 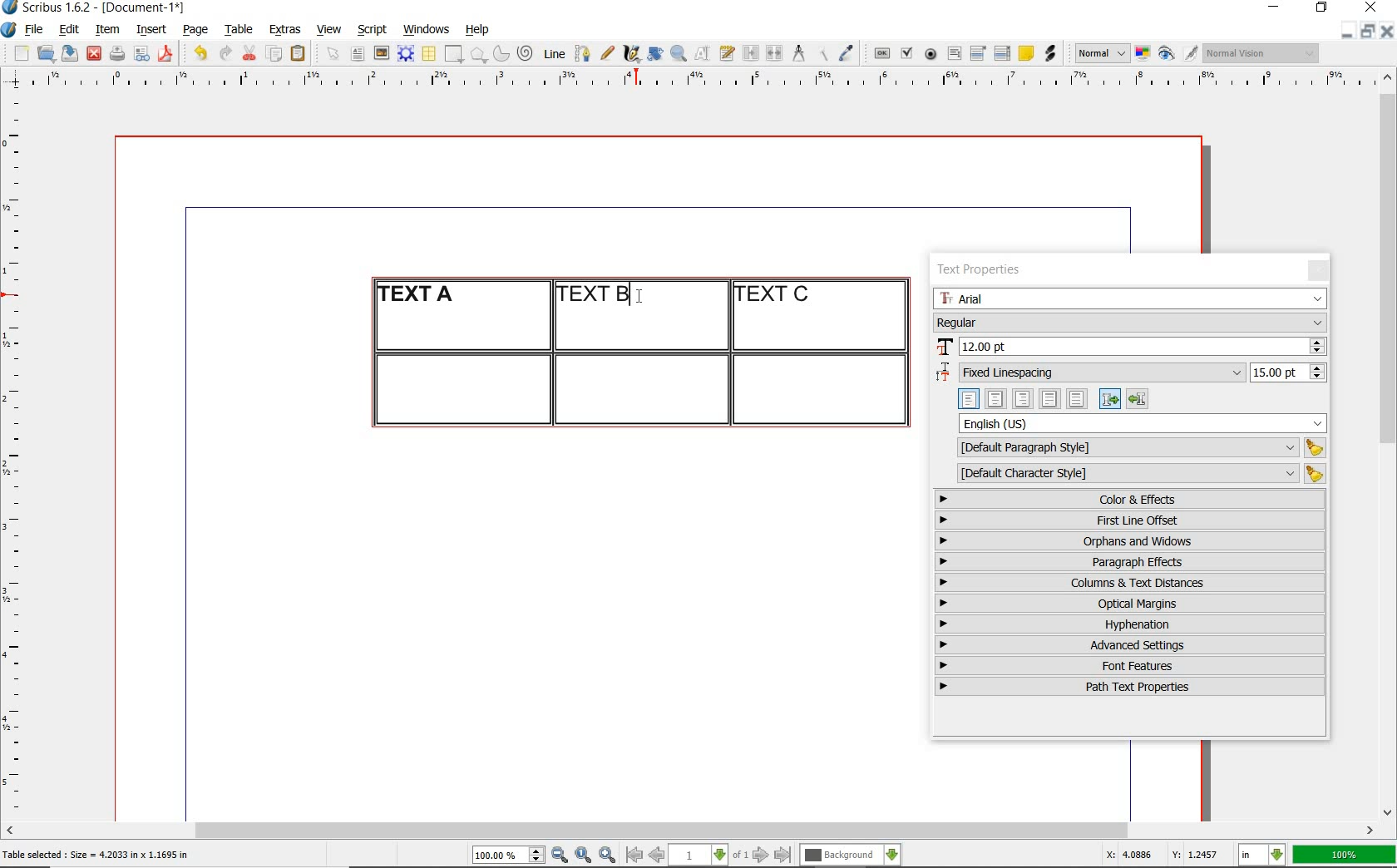 I want to click on edit contents of frame, so click(x=703, y=52).